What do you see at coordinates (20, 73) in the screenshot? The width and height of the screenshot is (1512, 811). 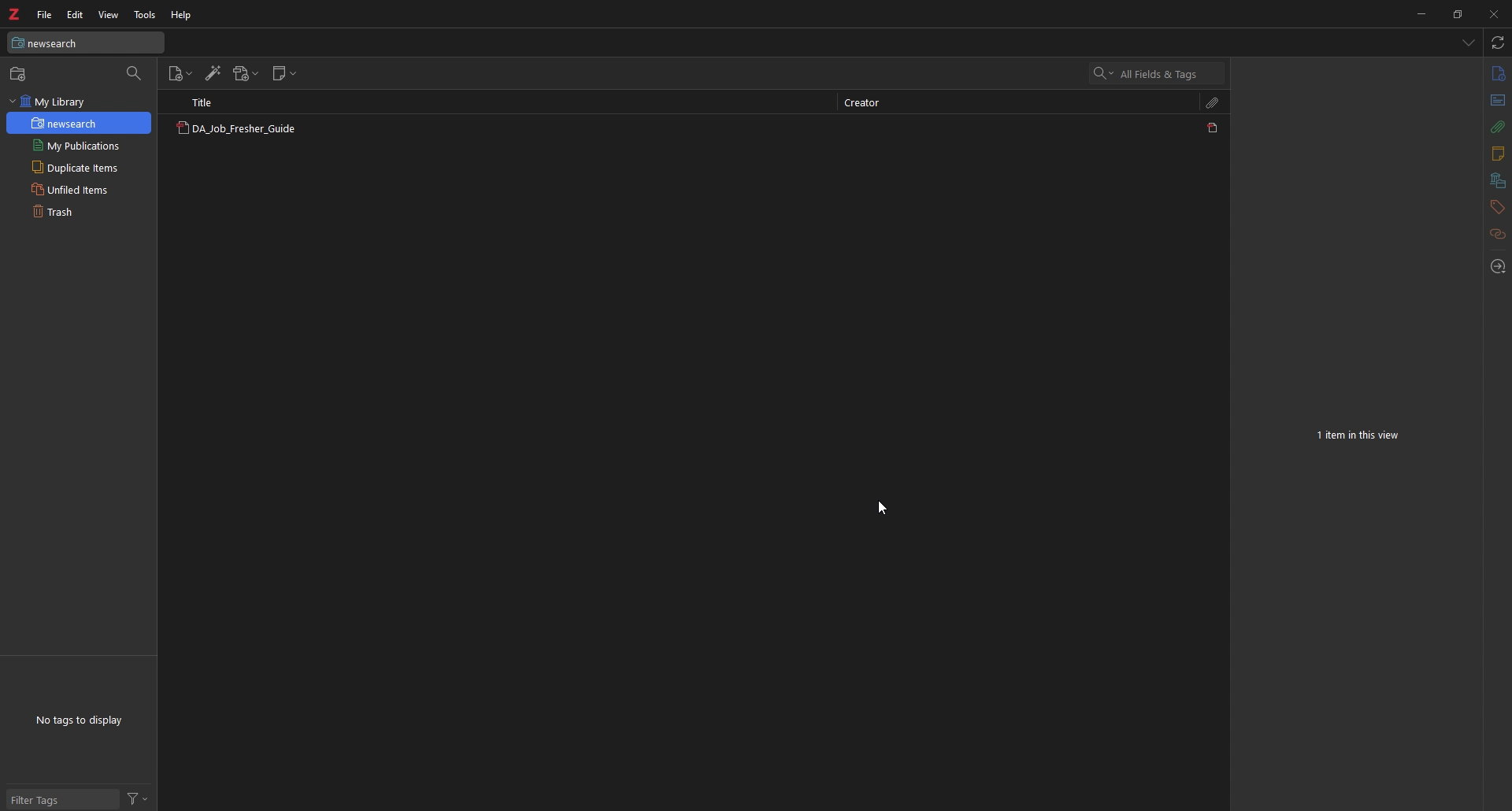 I see `new item` at bounding box center [20, 73].